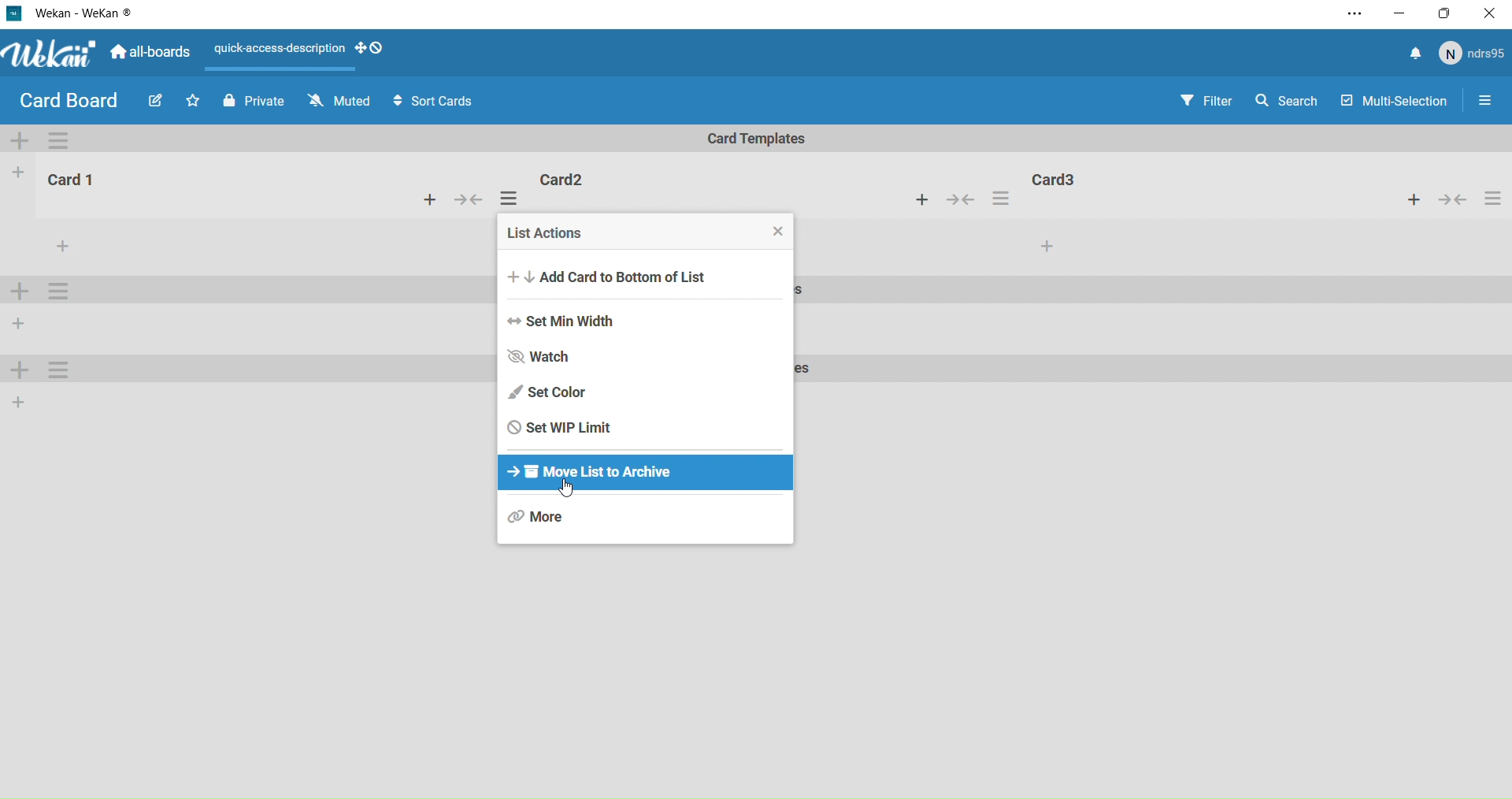 Image resolution: width=1512 pixels, height=799 pixels. Describe the element at coordinates (15, 371) in the screenshot. I see `add` at that location.